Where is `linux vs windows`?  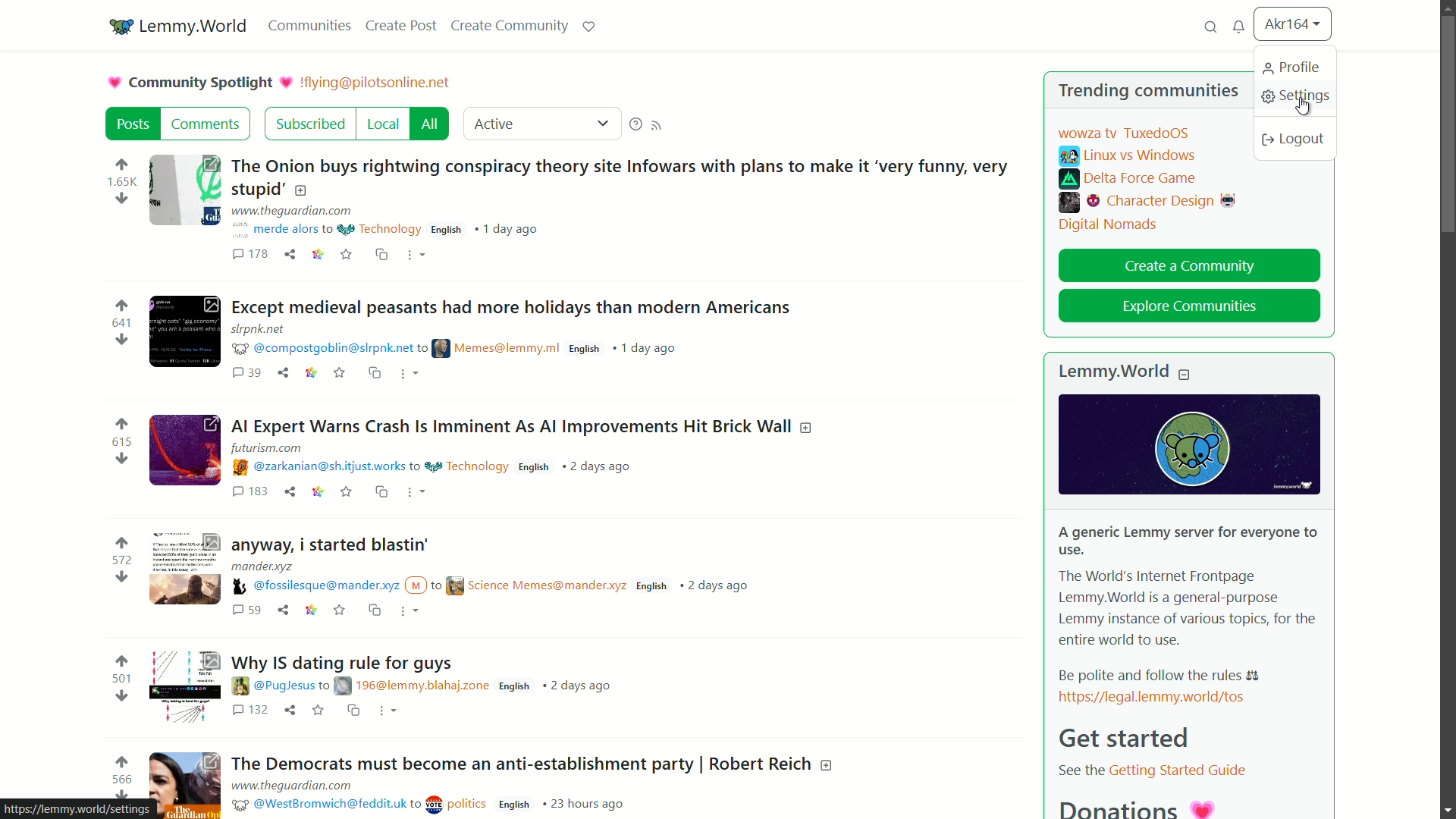 linux vs windows is located at coordinates (1127, 156).